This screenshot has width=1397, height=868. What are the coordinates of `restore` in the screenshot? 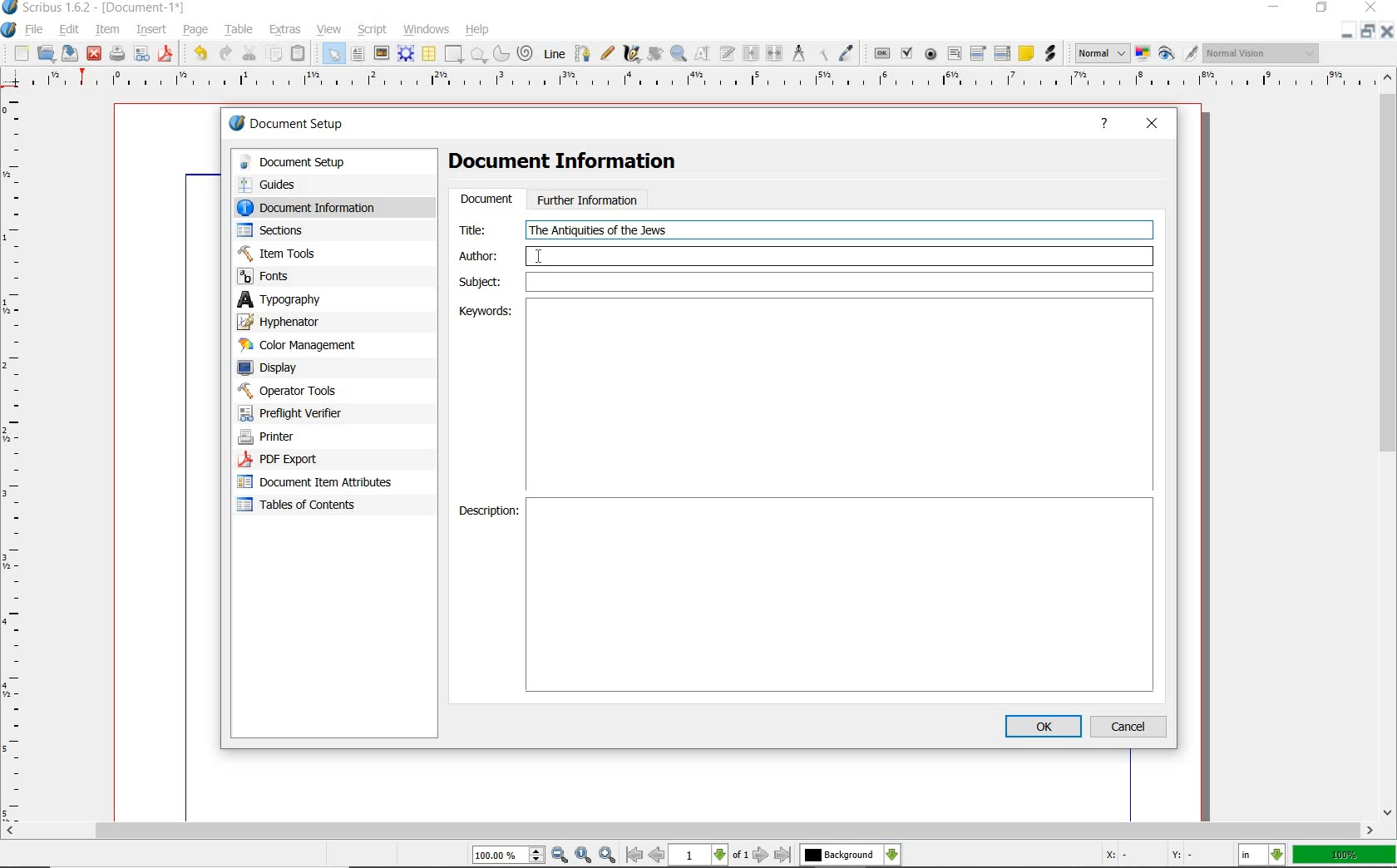 It's located at (1368, 30).